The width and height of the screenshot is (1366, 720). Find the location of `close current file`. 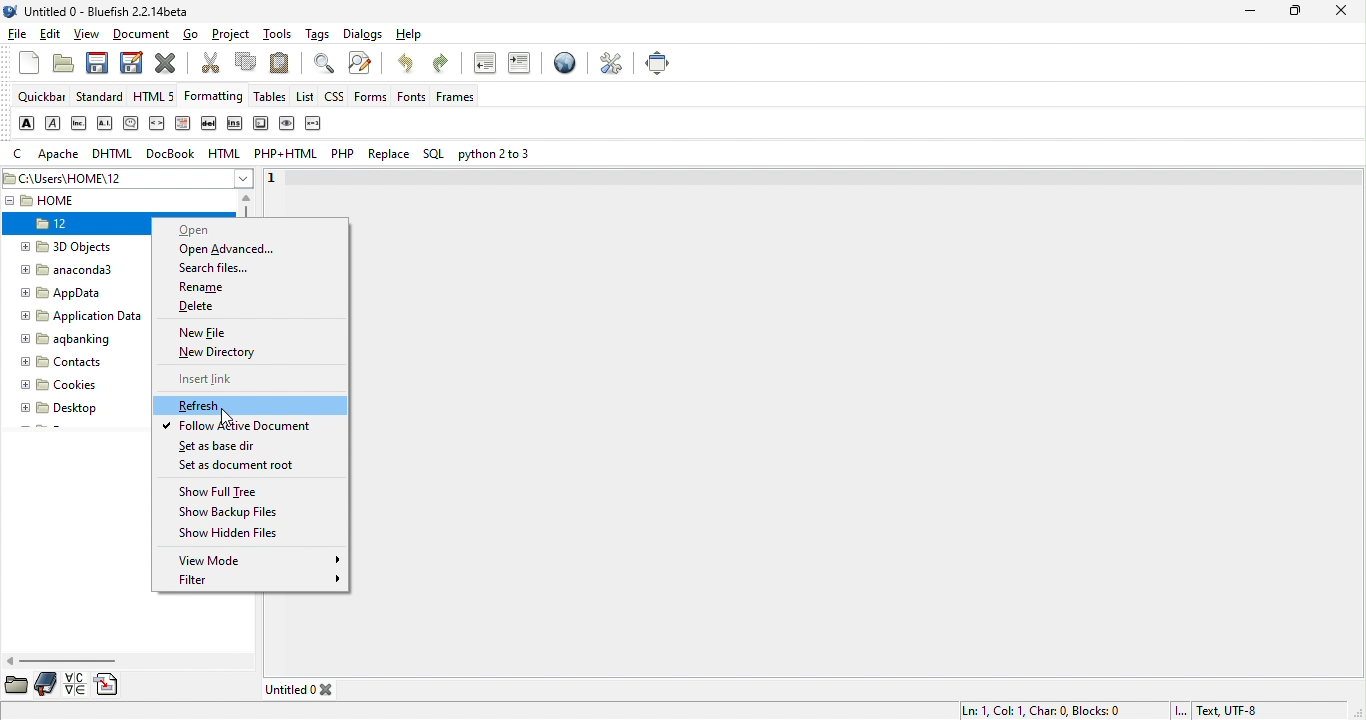

close current file is located at coordinates (170, 65).